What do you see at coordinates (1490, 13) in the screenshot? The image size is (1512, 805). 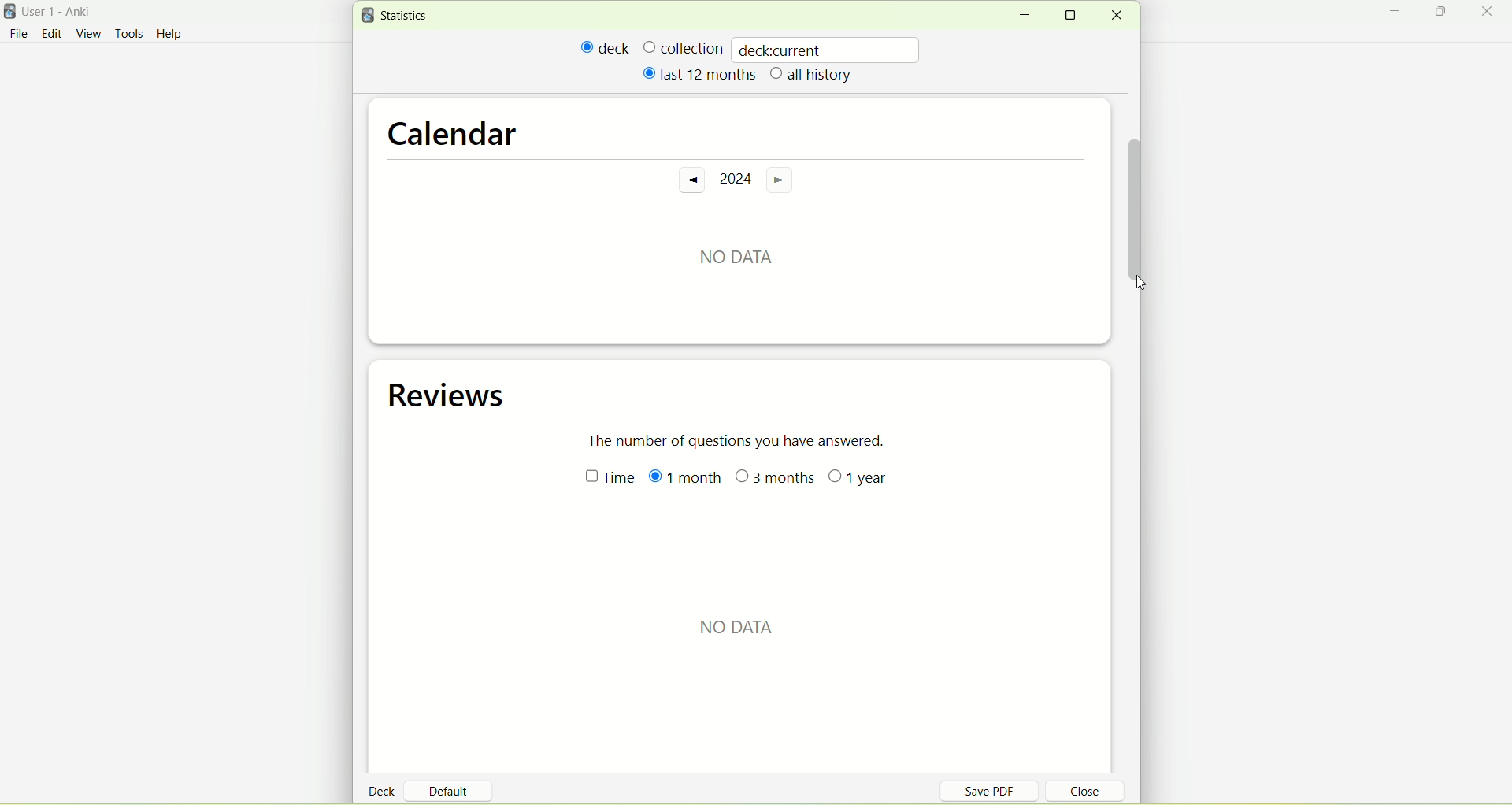 I see `close` at bounding box center [1490, 13].